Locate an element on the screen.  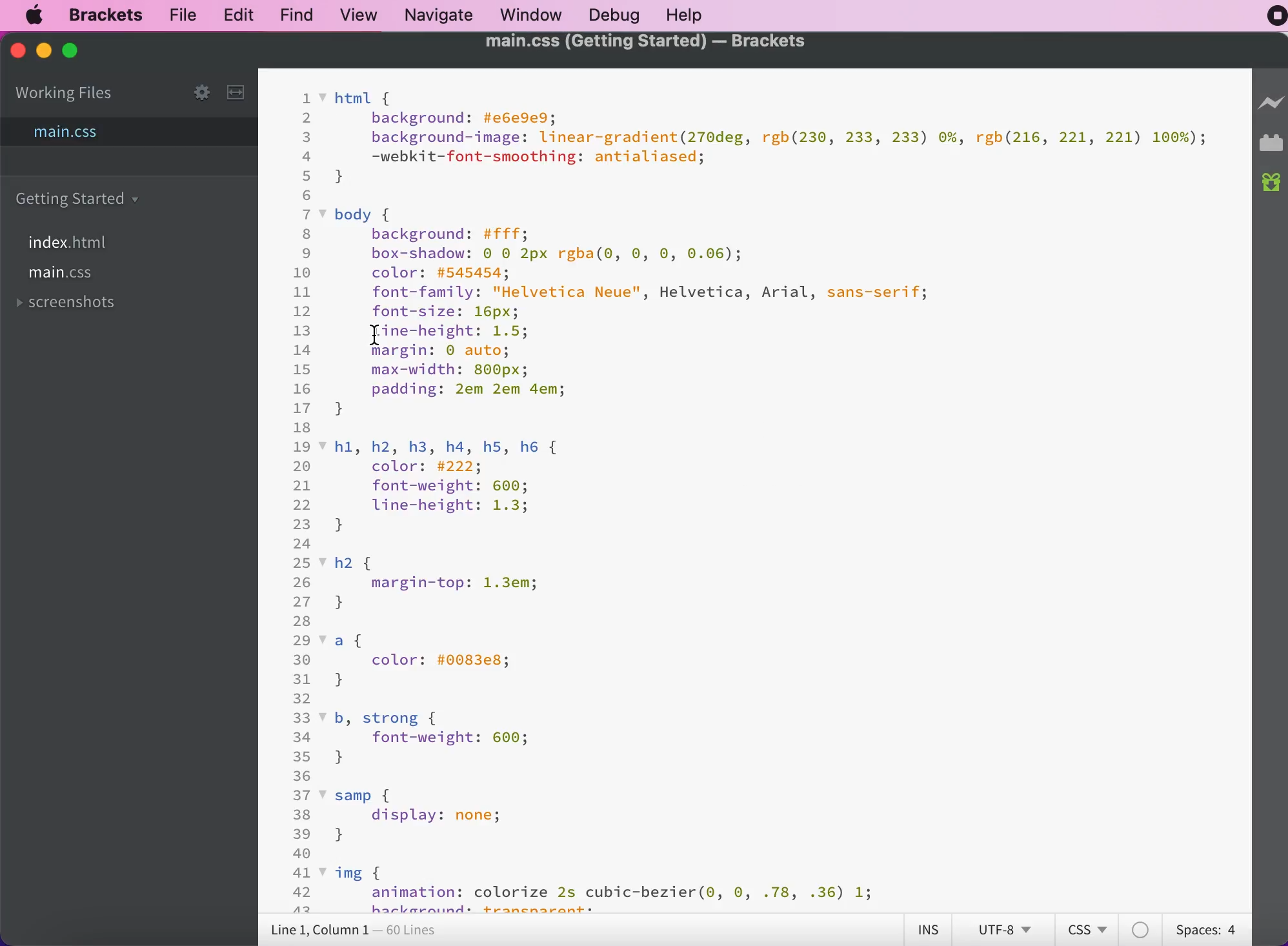
22 is located at coordinates (302, 505).